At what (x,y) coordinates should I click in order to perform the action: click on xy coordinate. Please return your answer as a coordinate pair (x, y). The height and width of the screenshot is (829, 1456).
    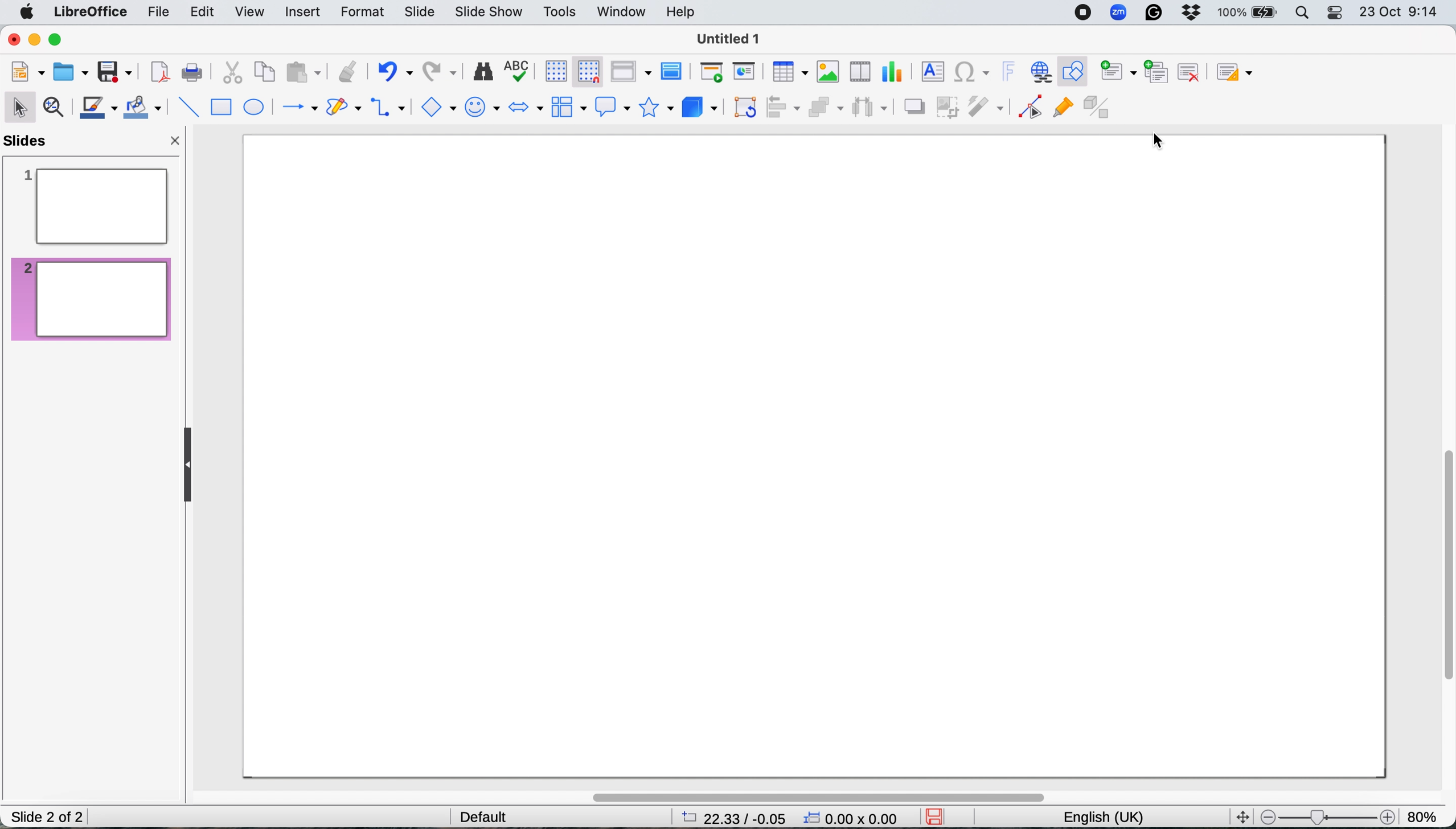
    Looking at the image, I should click on (854, 817).